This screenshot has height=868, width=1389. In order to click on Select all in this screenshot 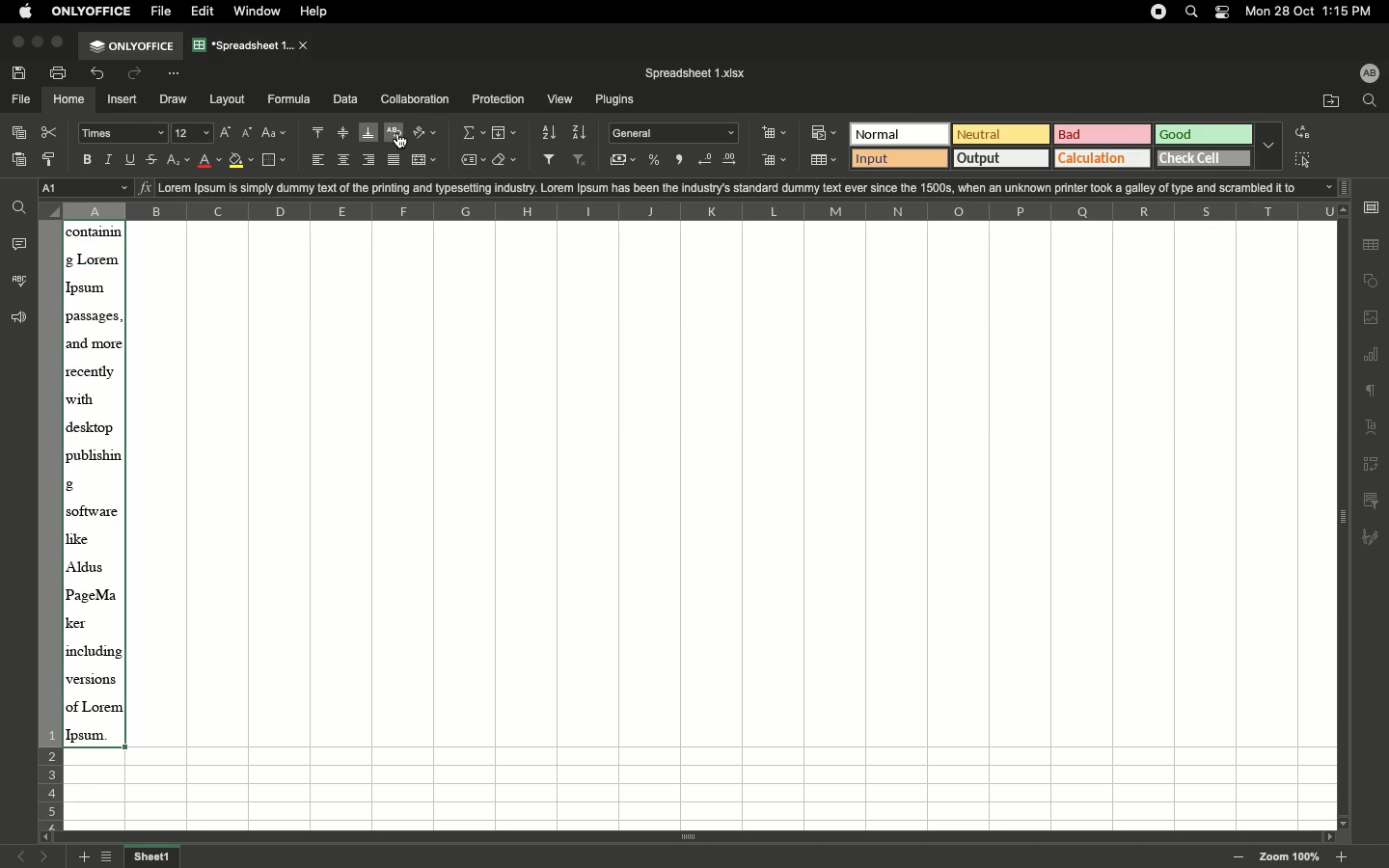, I will do `click(1301, 162)`.